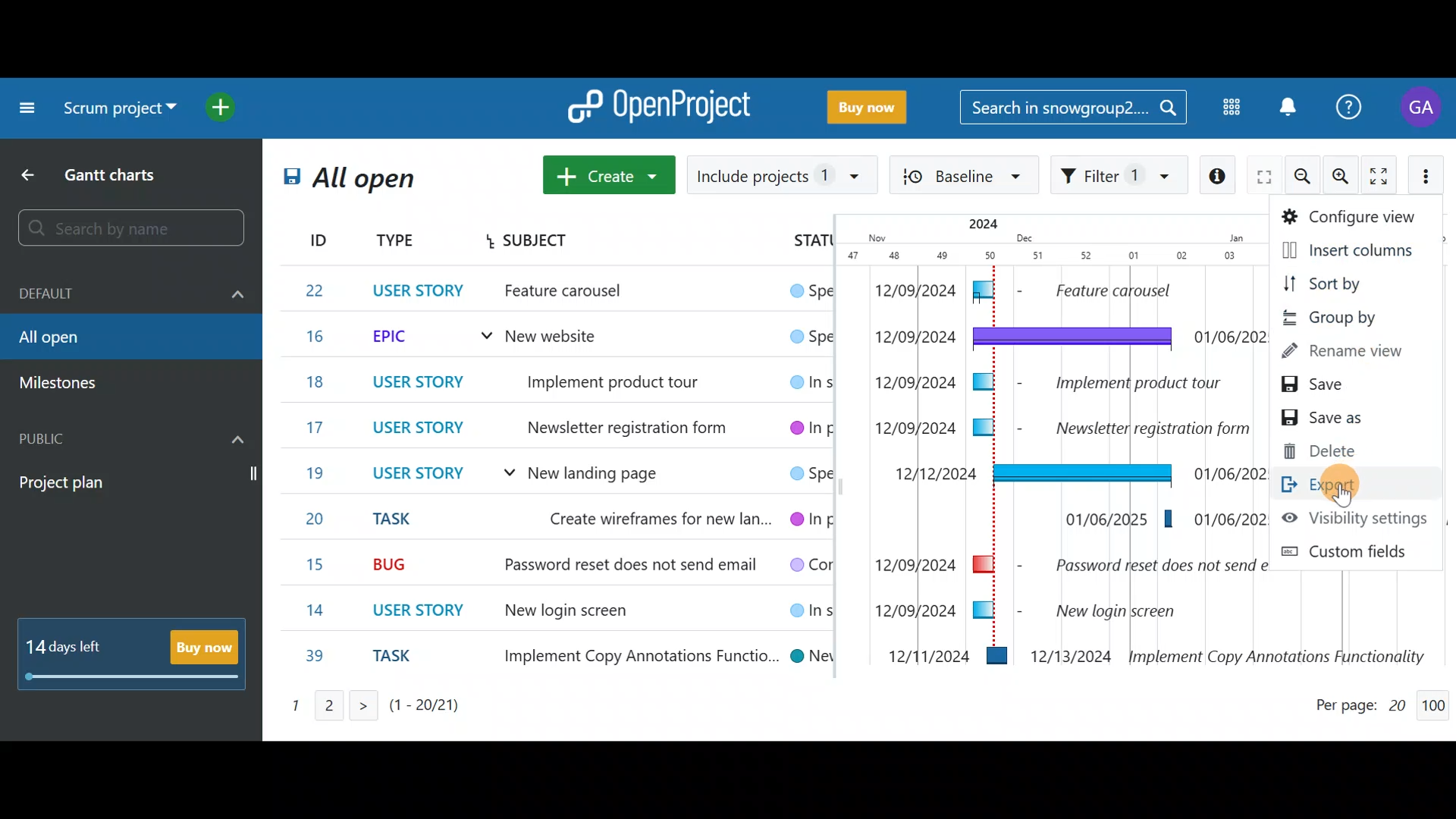  Describe the element at coordinates (401, 519) in the screenshot. I see `TASK` at that location.